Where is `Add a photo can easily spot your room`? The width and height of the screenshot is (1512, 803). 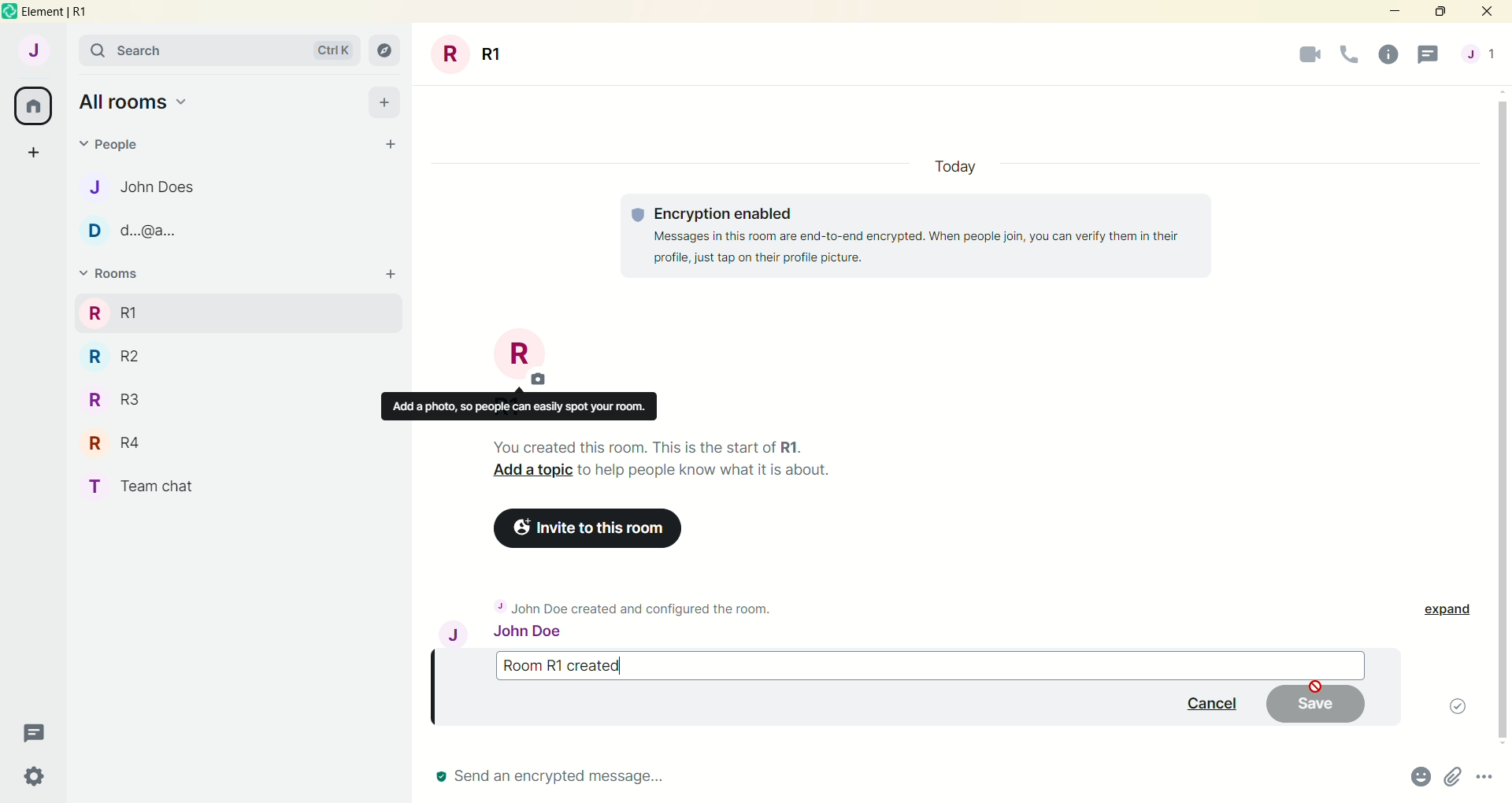
Add a photo can easily spot your room is located at coordinates (518, 407).